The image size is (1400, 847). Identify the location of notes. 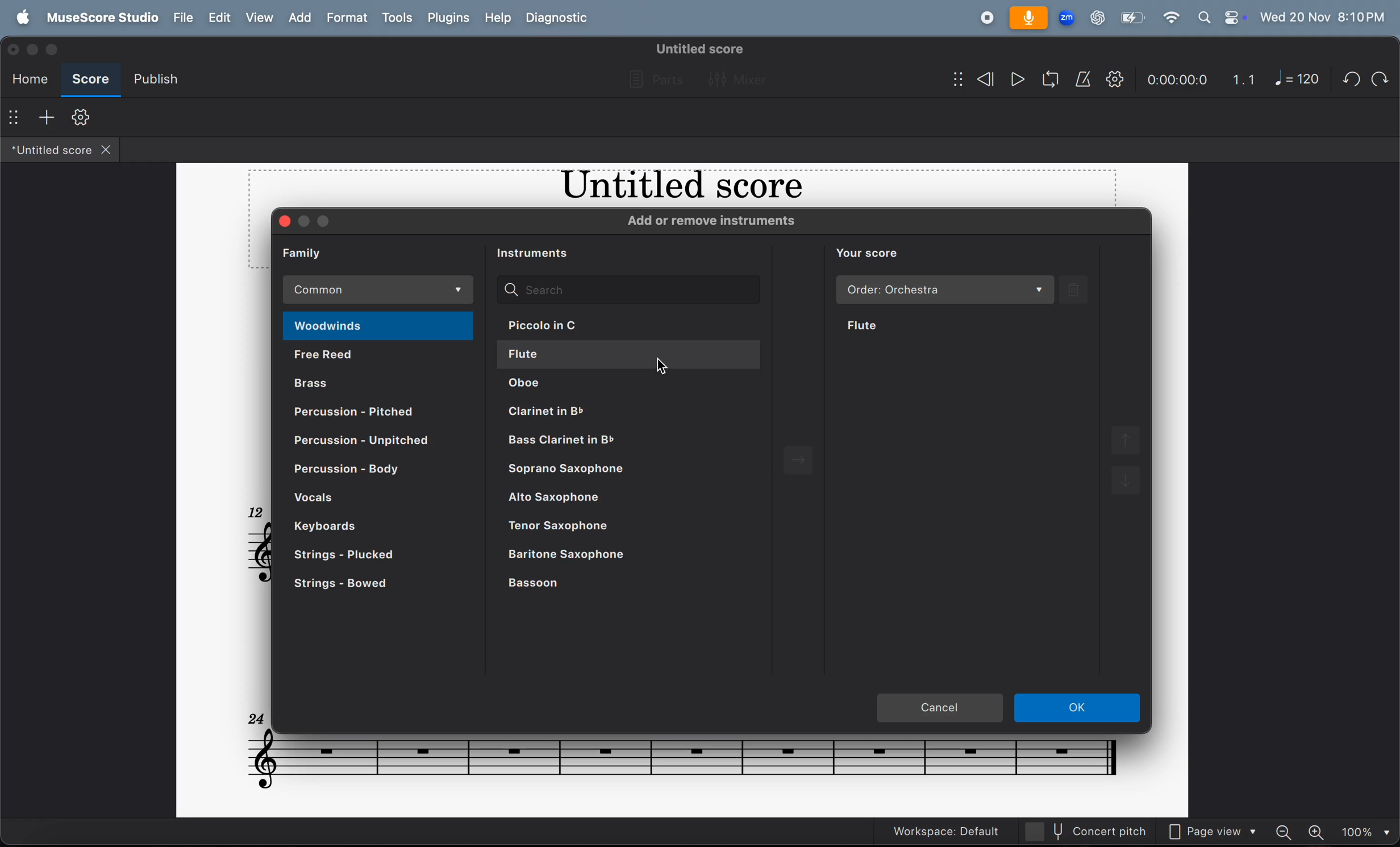
(256, 551).